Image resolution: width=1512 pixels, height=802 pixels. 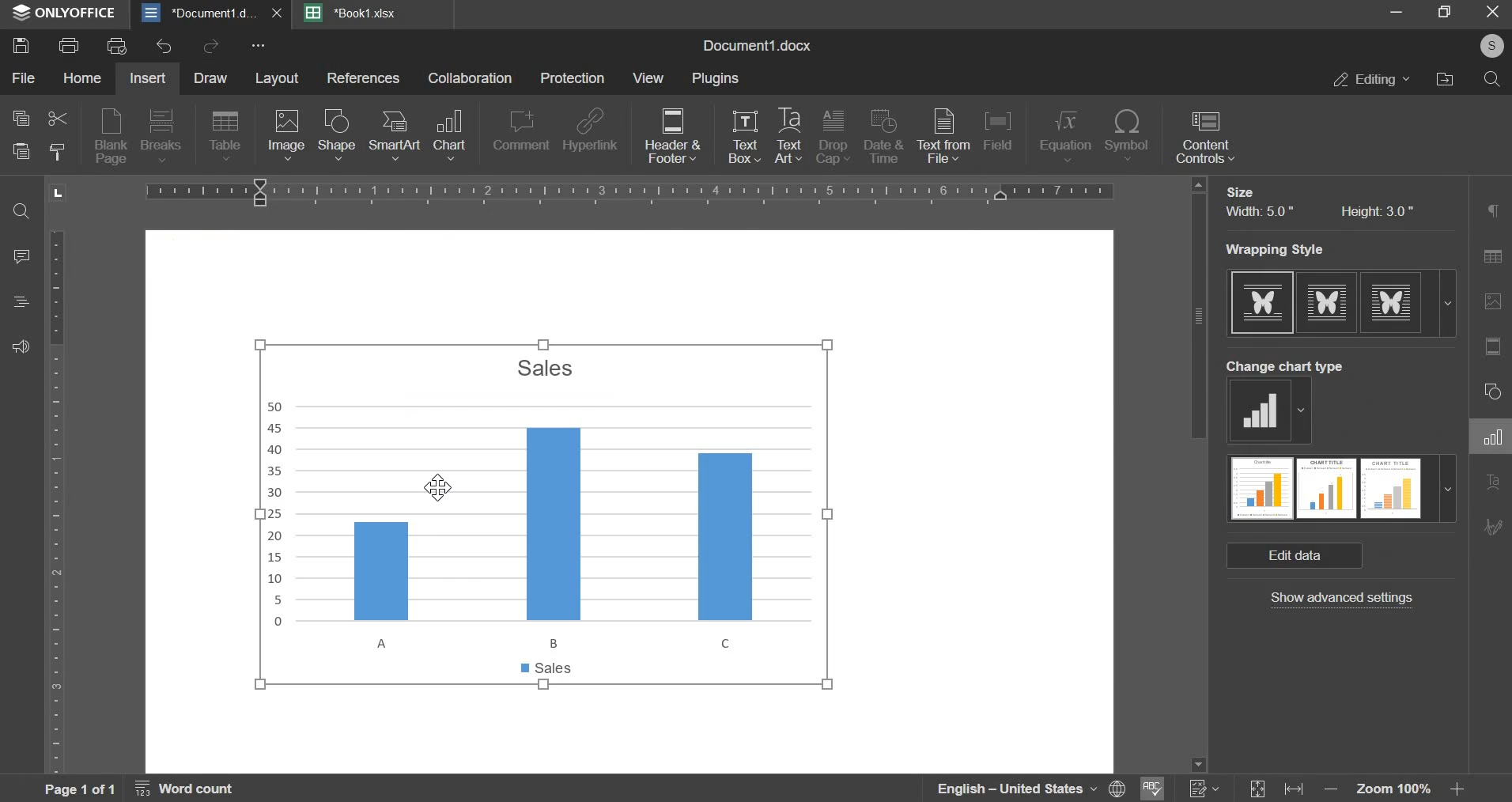 I want to click on references, so click(x=364, y=78).